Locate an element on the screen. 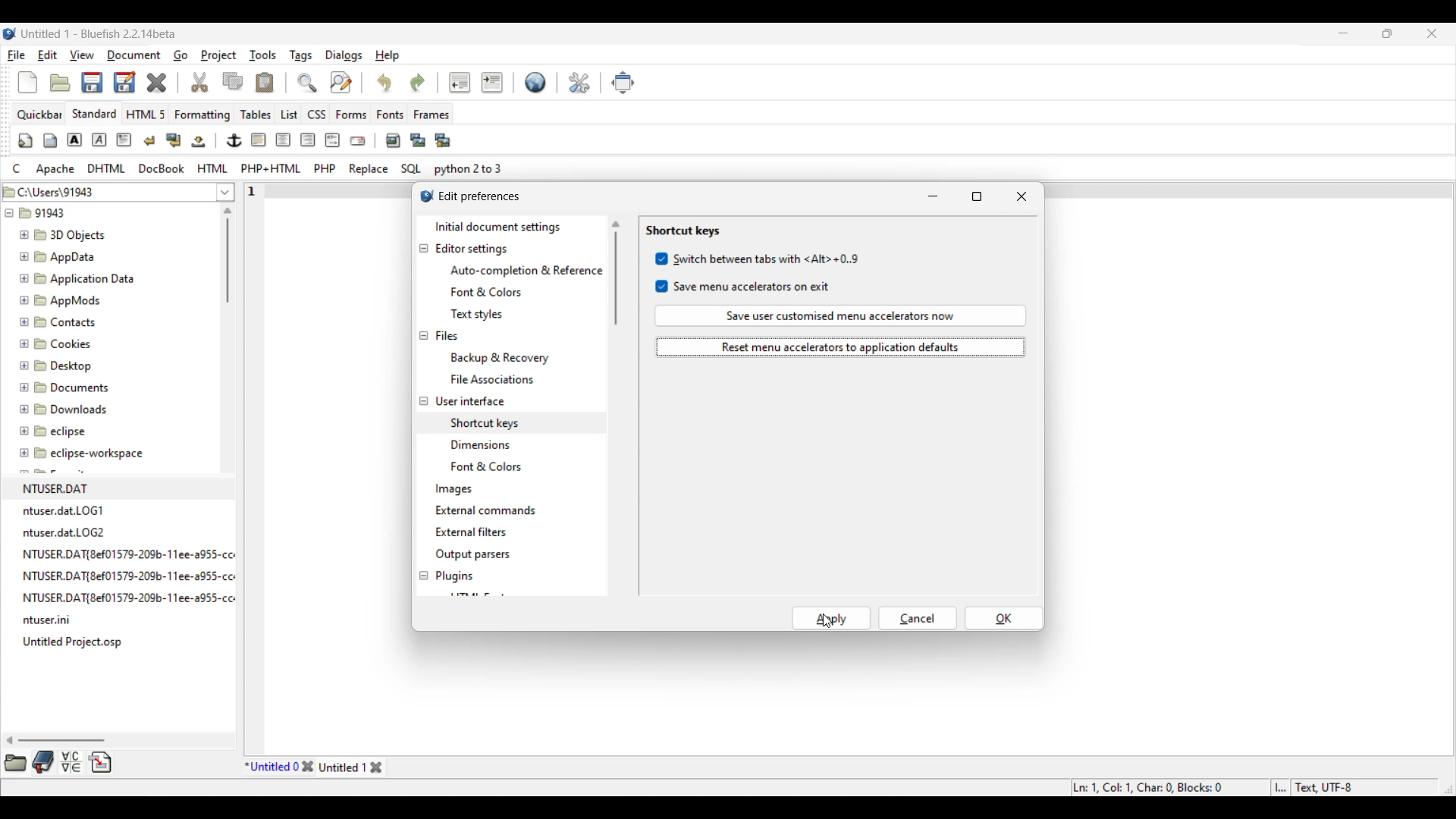 This screenshot has width=1456, height=819. Code language options is located at coordinates (258, 168).